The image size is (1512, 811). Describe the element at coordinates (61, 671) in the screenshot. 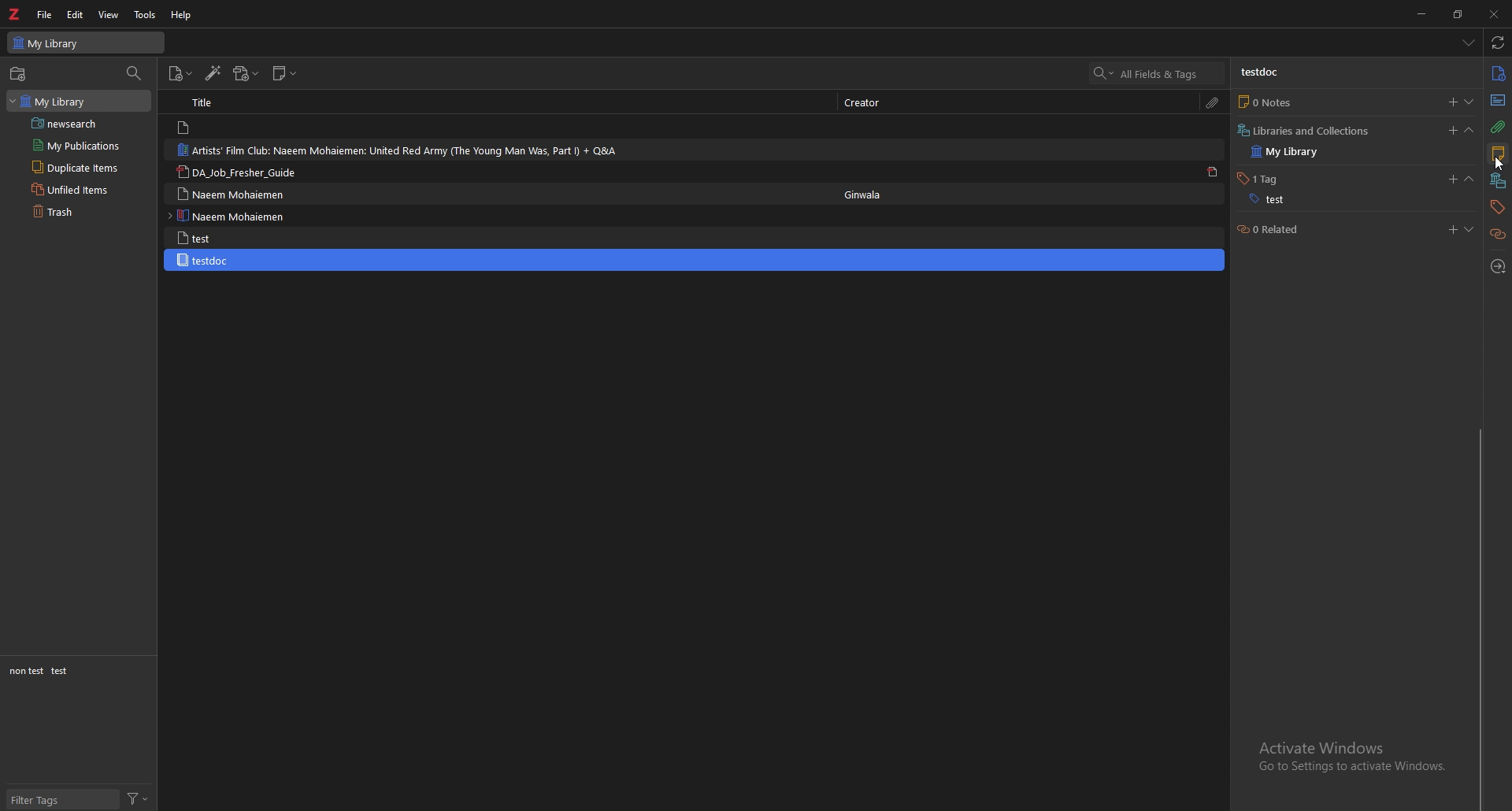

I see `test` at that location.